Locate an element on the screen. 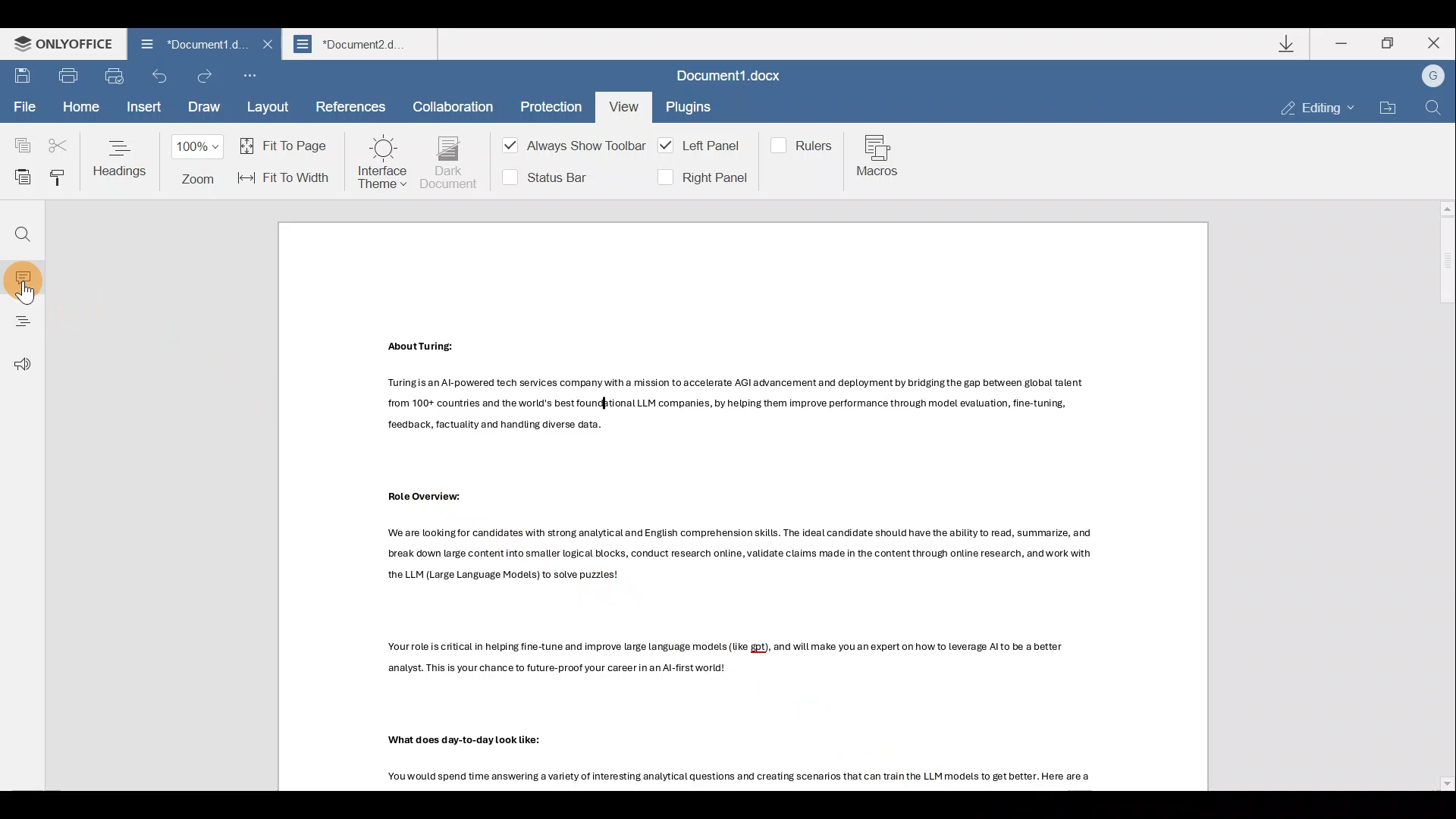 Image resolution: width=1456 pixels, height=819 pixels. Redo is located at coordinates (206, 76).